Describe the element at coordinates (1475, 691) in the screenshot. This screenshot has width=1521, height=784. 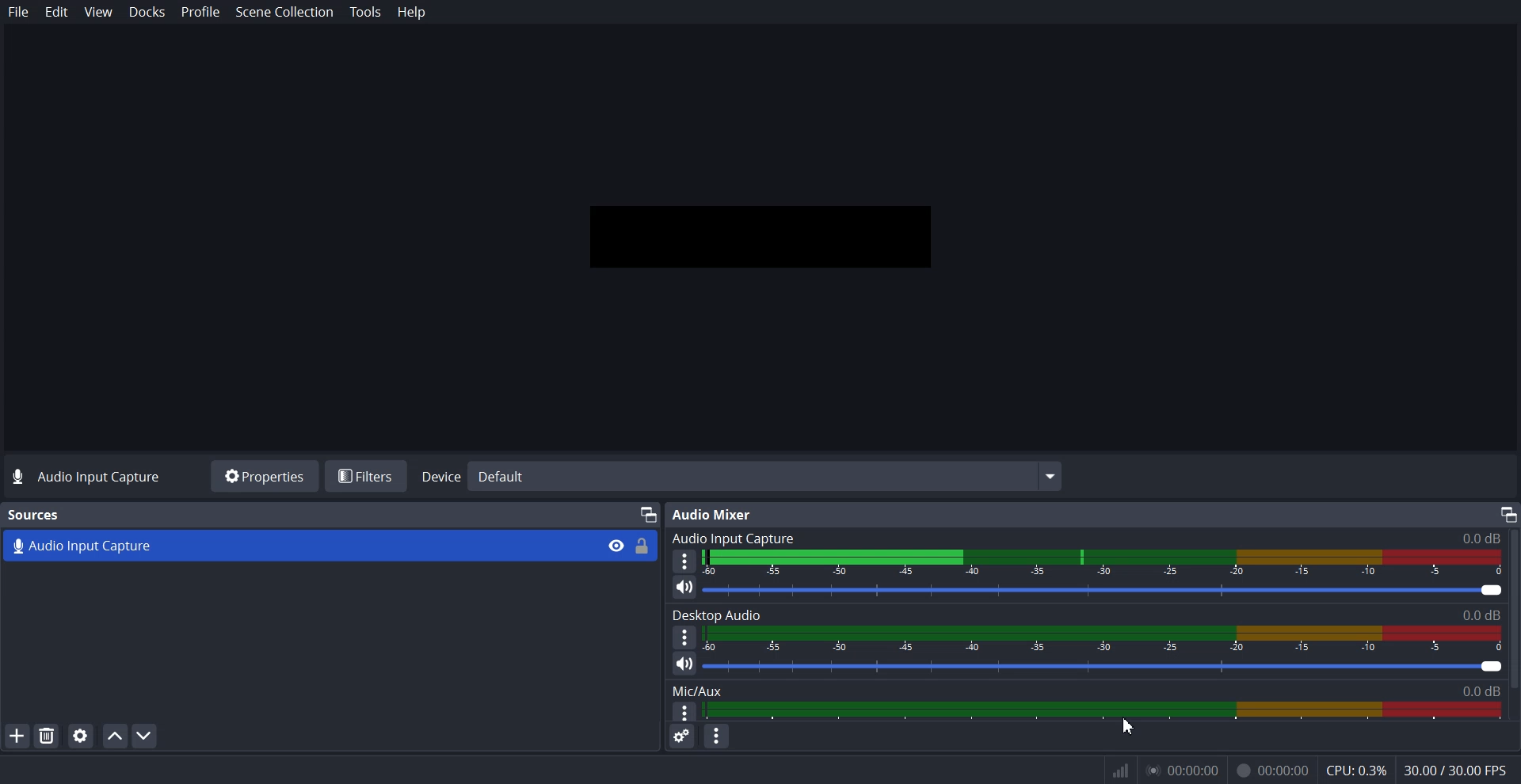
I see `0.0db` at that location.